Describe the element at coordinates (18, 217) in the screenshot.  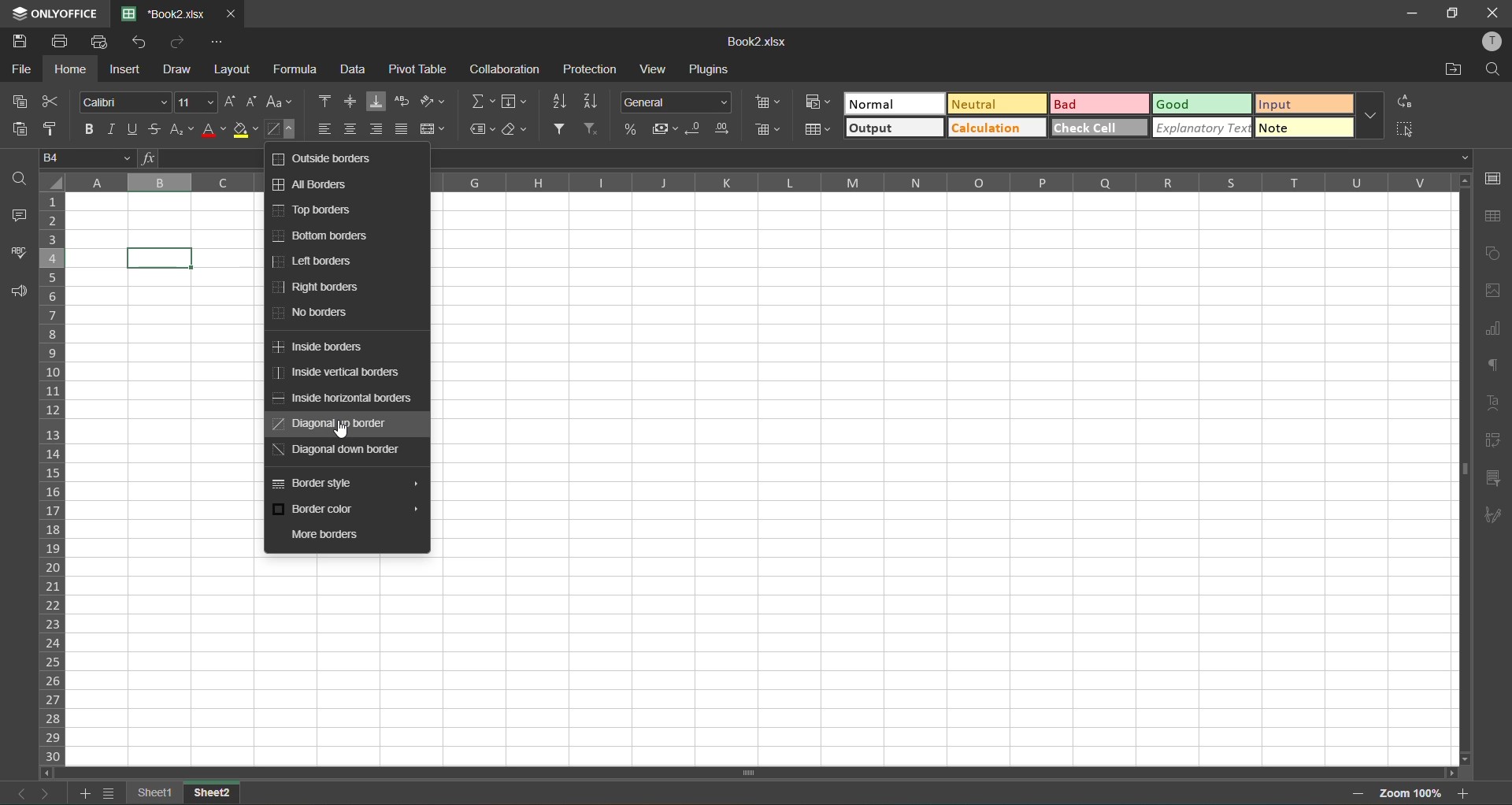
I see `comments` at that location.